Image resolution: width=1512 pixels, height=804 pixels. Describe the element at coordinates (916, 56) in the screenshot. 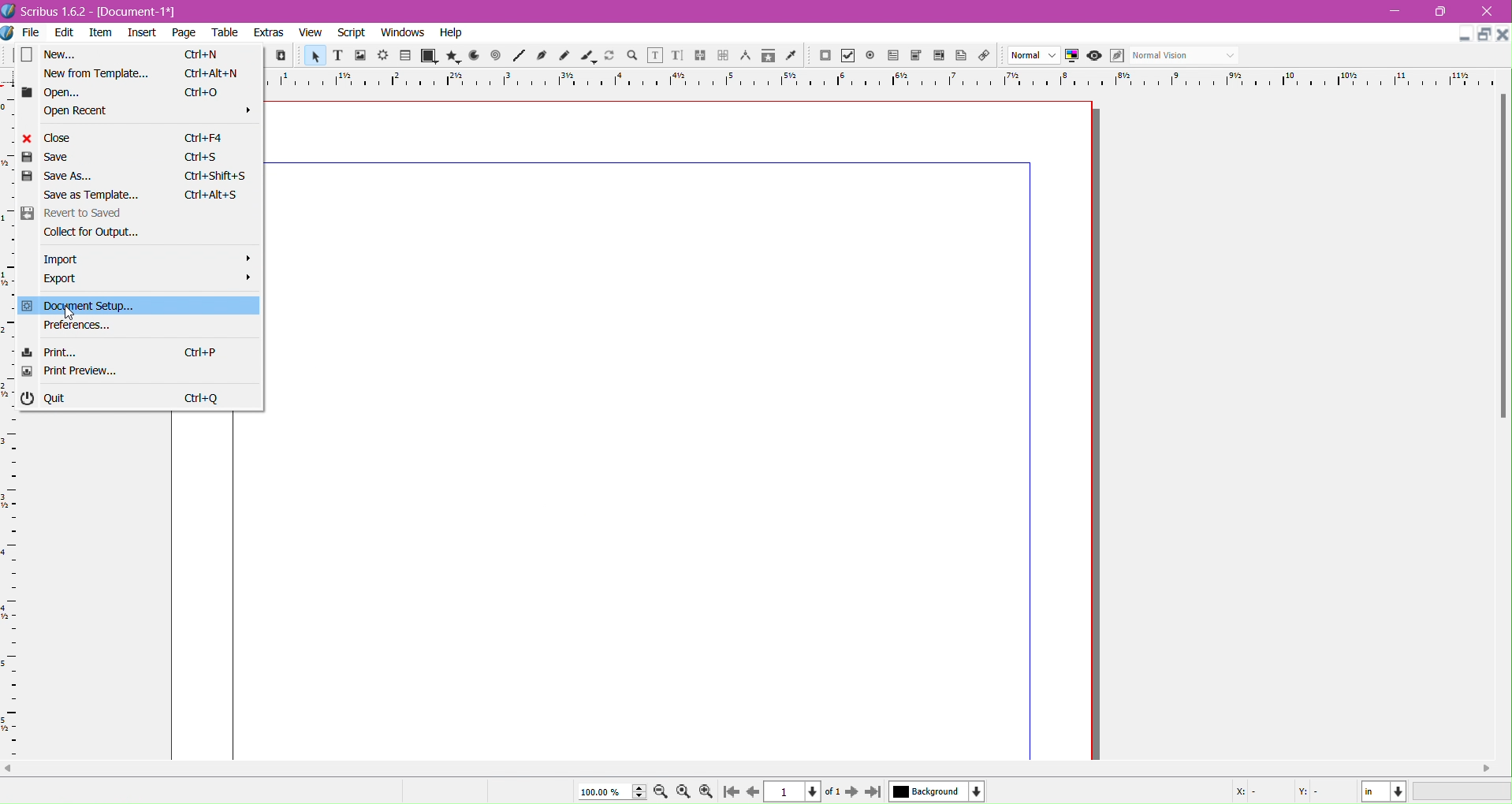

I see `pdf list box` at that location.